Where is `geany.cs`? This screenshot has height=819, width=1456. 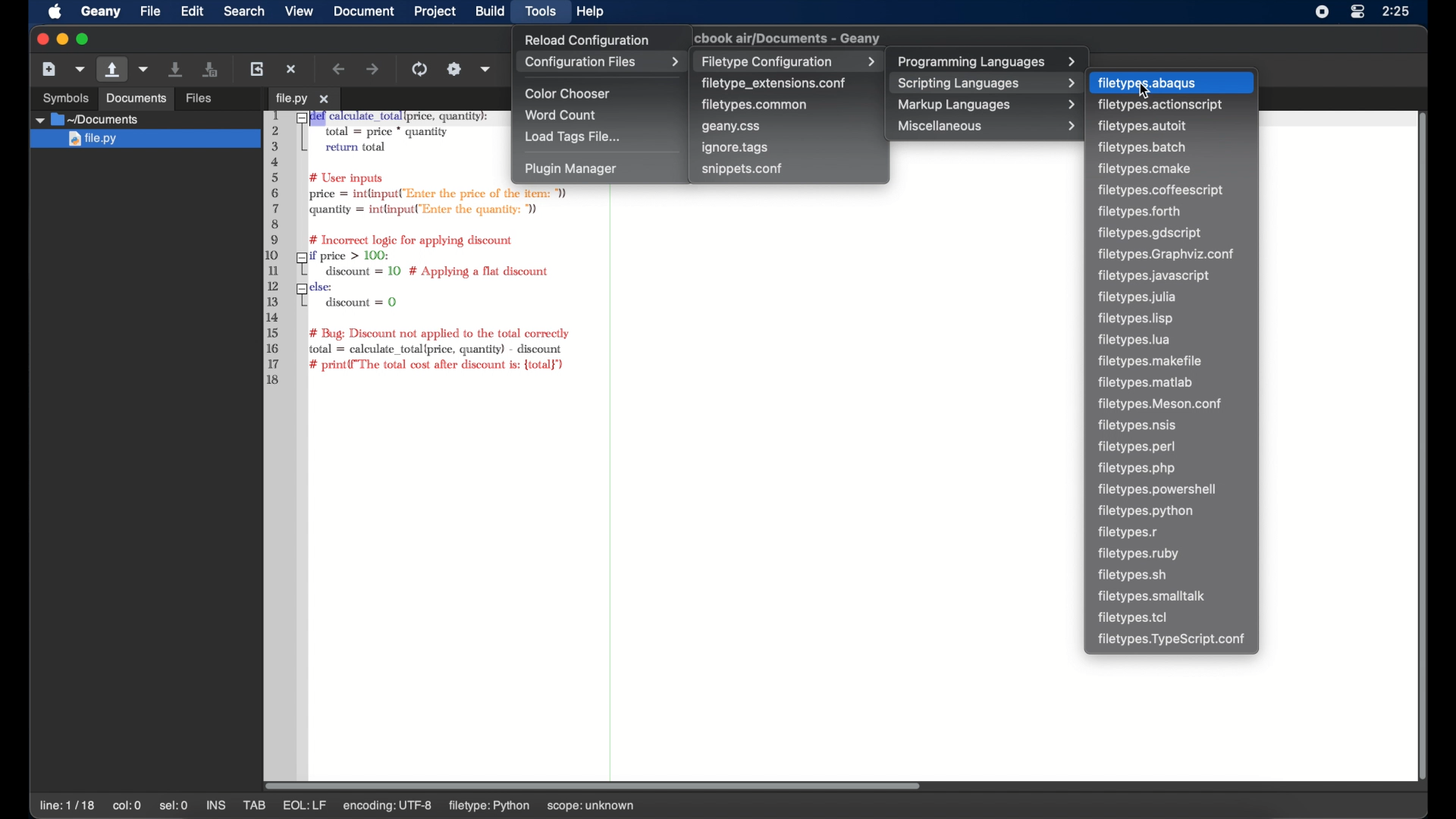 geany.cs is located at coordinates (732, 127).